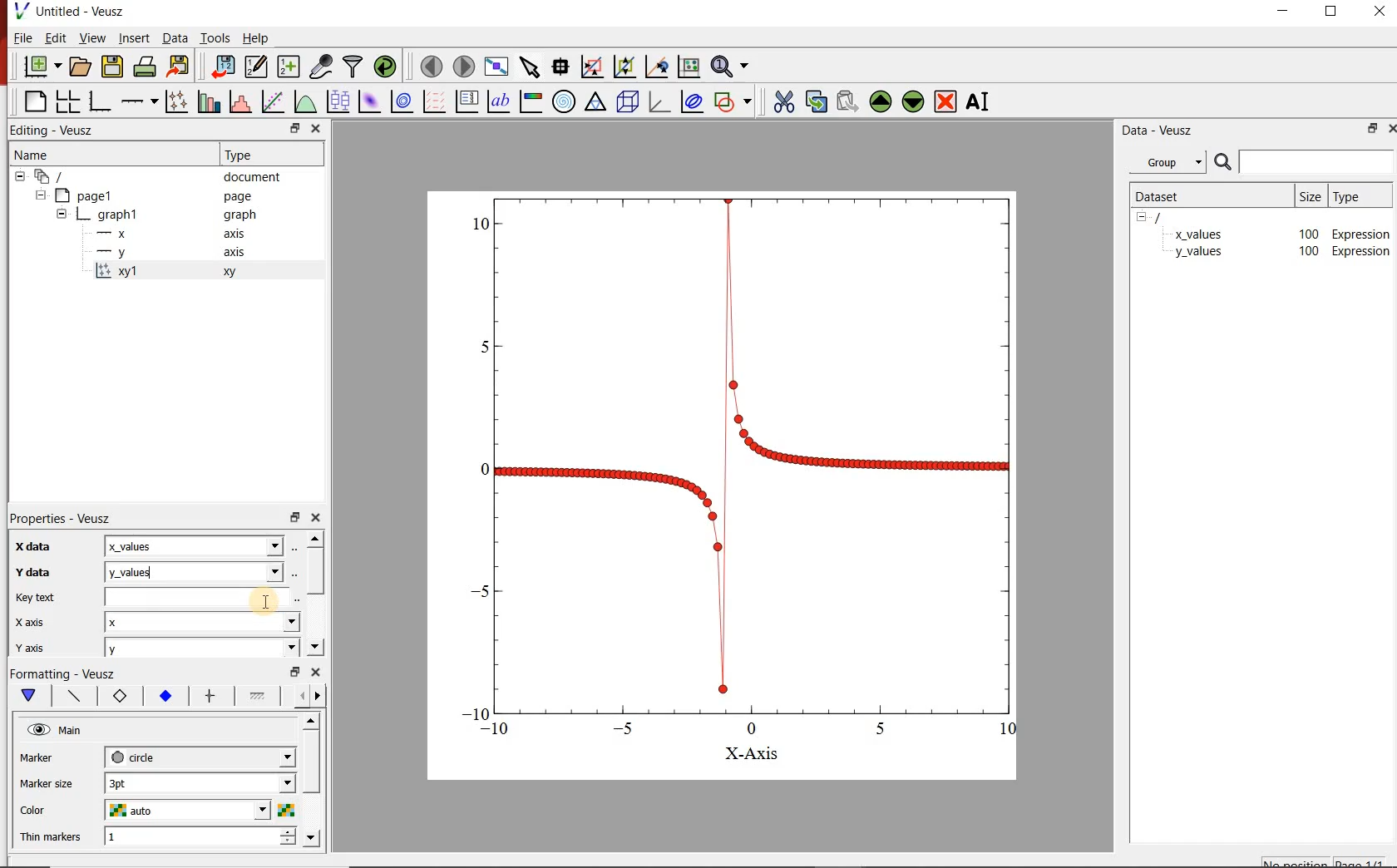  What do you see at coordinates (369, 101) in the screenshot?
I see `plot 2d dataset as an image` at bounding box center [369, 101].